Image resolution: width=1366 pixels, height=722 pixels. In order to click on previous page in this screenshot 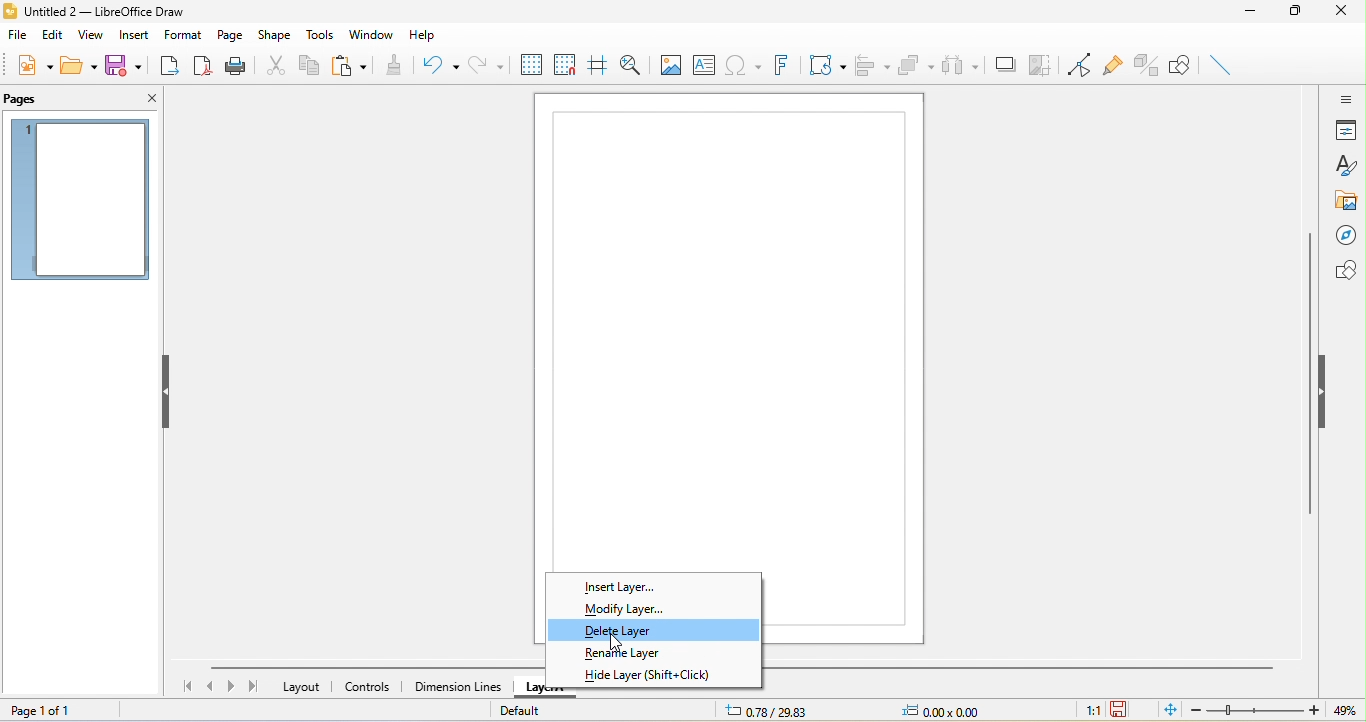, I will do `click(210, 686)`.